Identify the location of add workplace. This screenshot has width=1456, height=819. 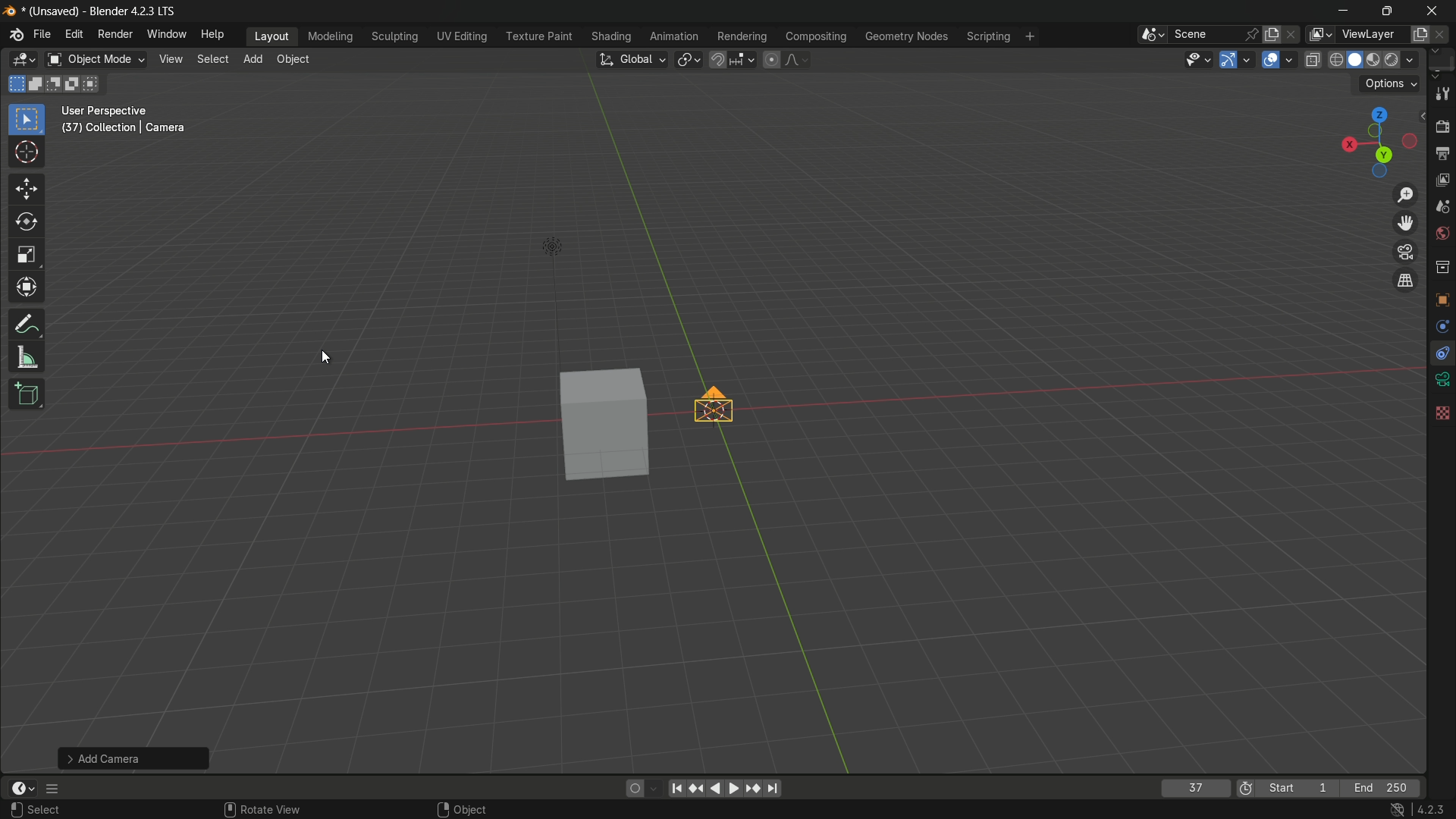
(1034, 38).